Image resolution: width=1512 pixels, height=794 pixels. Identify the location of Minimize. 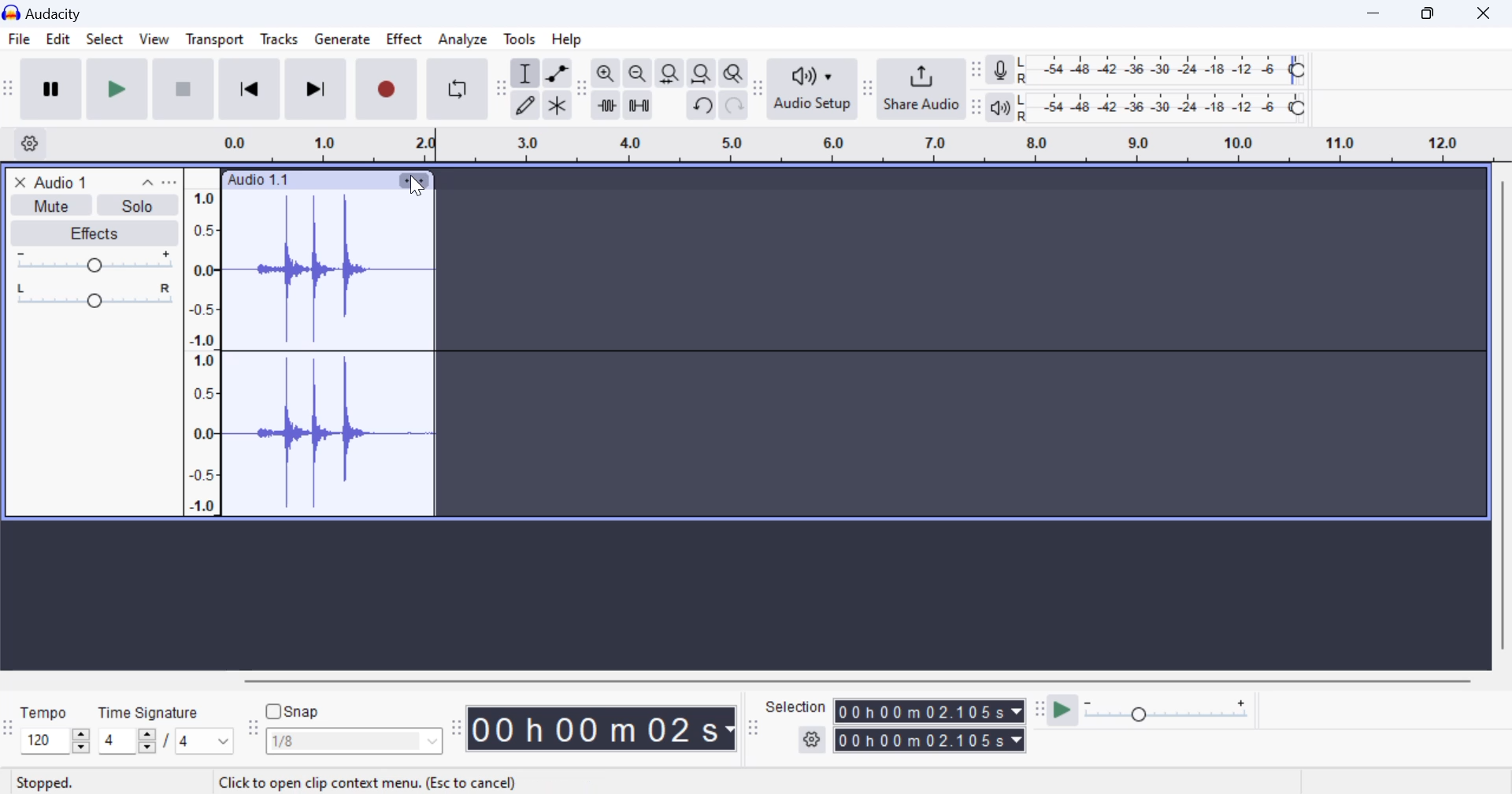
(1432, 12).